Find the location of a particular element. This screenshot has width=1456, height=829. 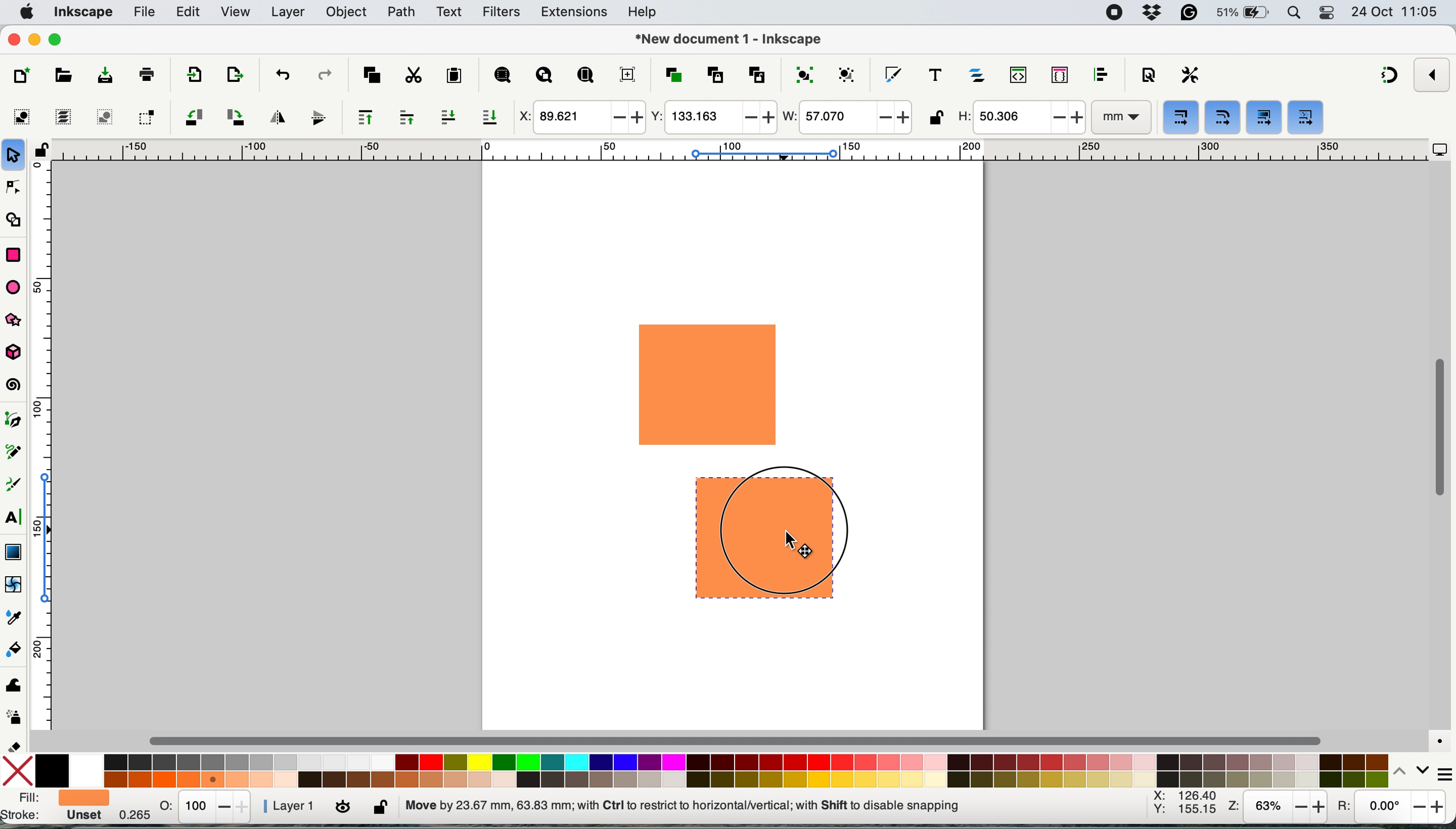

texts and fonts is located at coordinates (935, 75).